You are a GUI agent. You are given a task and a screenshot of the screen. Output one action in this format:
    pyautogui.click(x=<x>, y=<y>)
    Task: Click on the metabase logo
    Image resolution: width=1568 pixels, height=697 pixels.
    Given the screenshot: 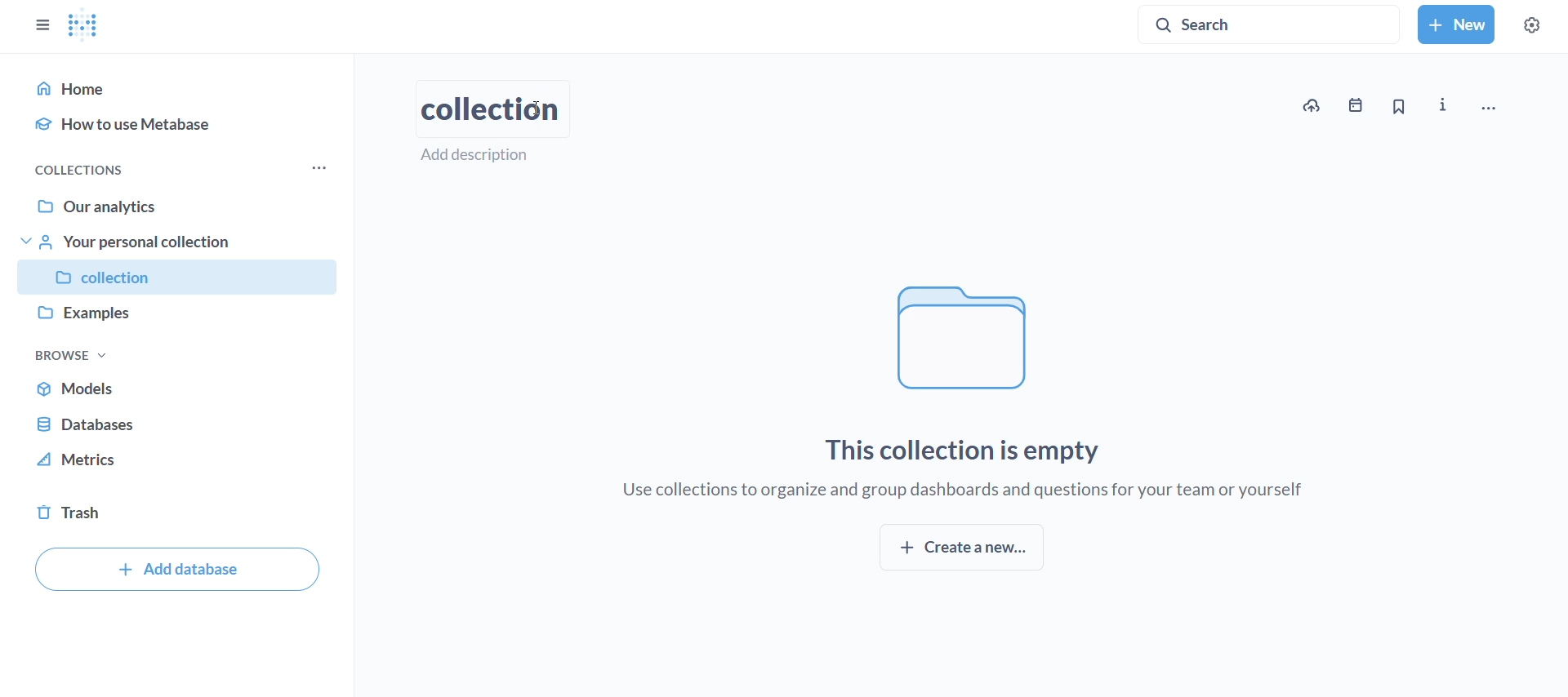 What is the action you would take?
    pyautogui.click(x=85, y=25)
    